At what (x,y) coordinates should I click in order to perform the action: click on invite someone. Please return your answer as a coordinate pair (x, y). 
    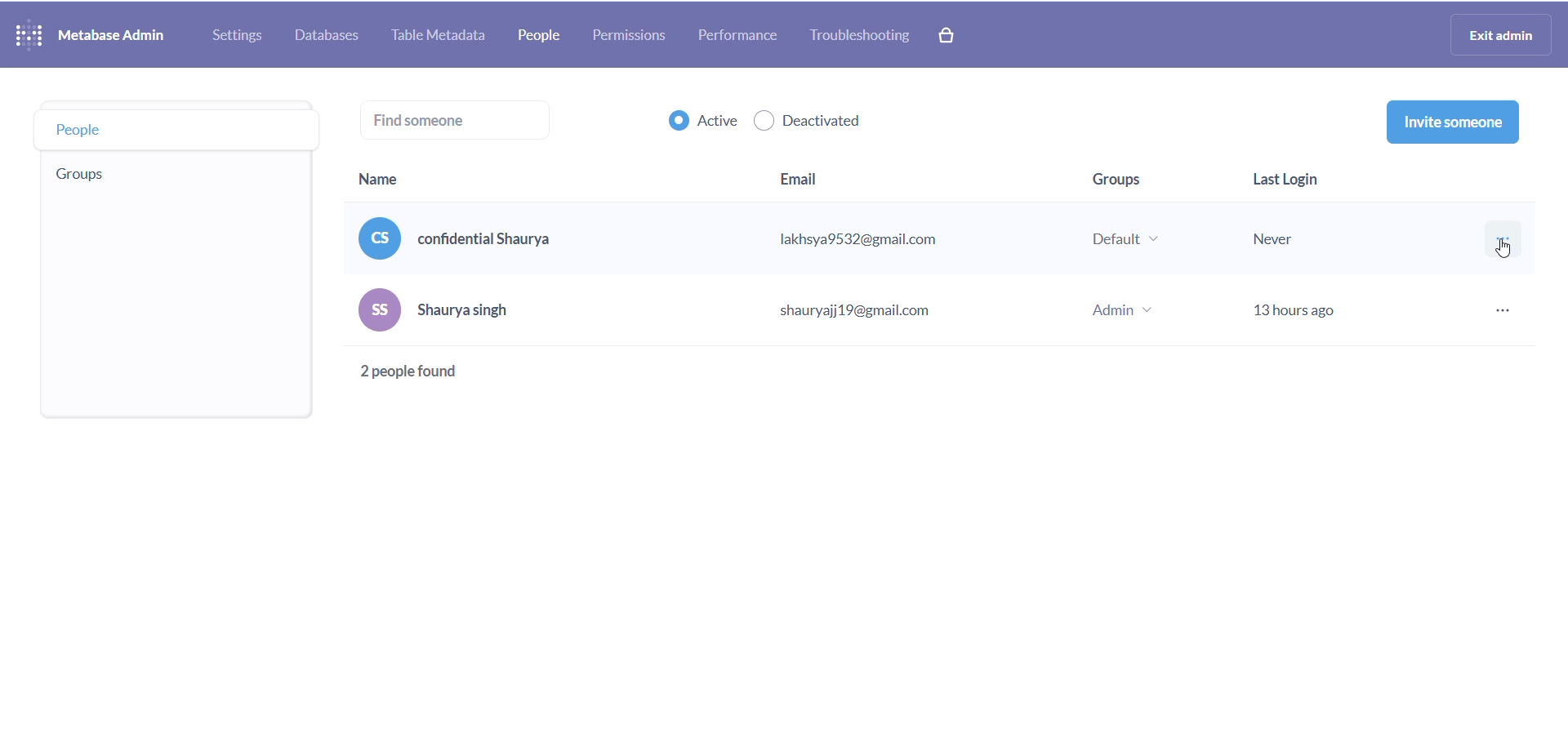
    Looking at the image, I should click on (1457, 123).